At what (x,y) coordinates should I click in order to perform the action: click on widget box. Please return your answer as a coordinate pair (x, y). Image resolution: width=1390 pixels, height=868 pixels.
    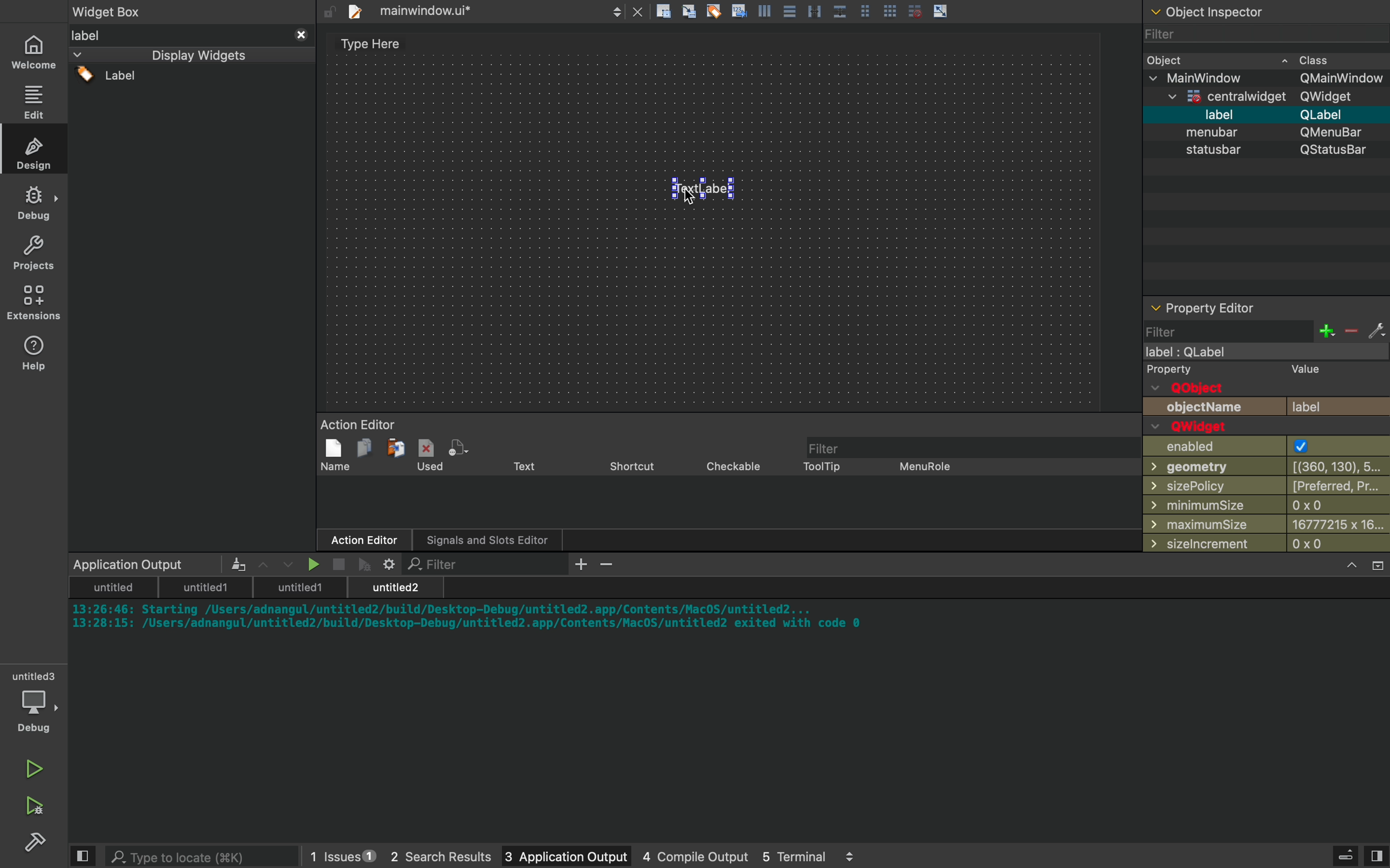
    Looking at the image, I should click on (125, 10).